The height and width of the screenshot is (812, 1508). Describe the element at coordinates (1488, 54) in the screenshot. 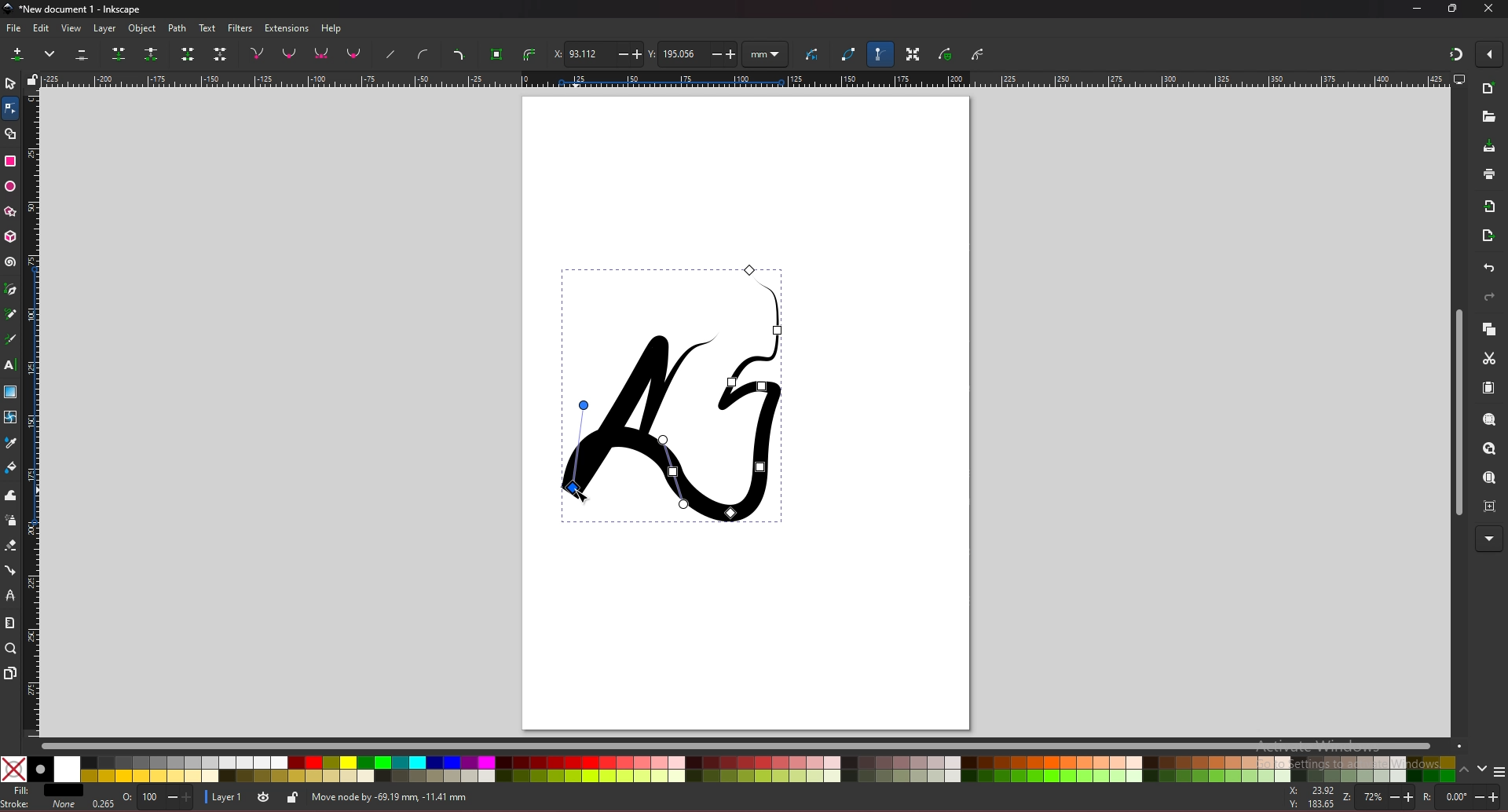

I see `enable snapping` at that location.